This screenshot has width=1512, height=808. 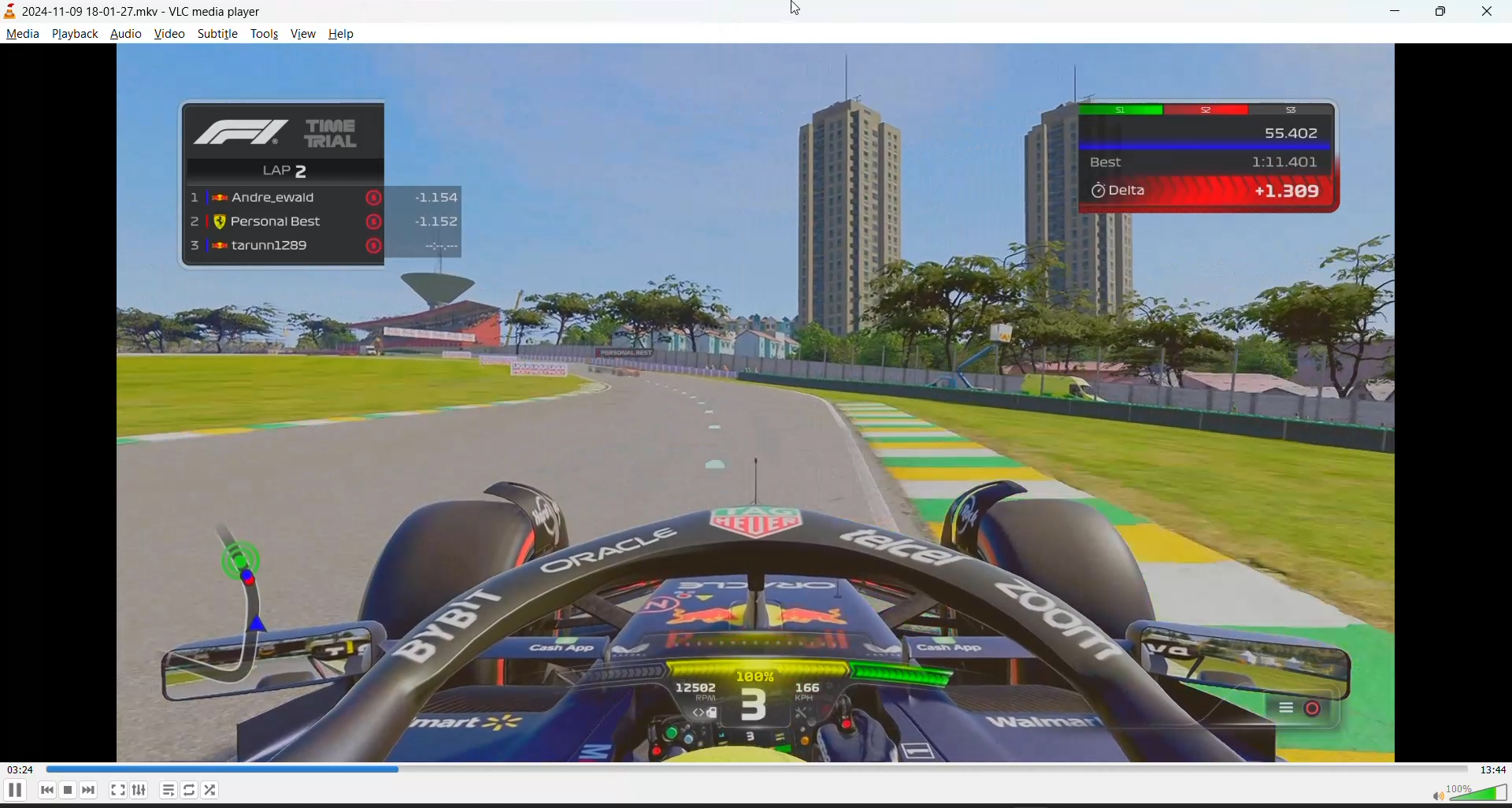 What do you see at coordinates (14, 790) in the screenshot?
I see `pause` at bounding box center [14, 790].